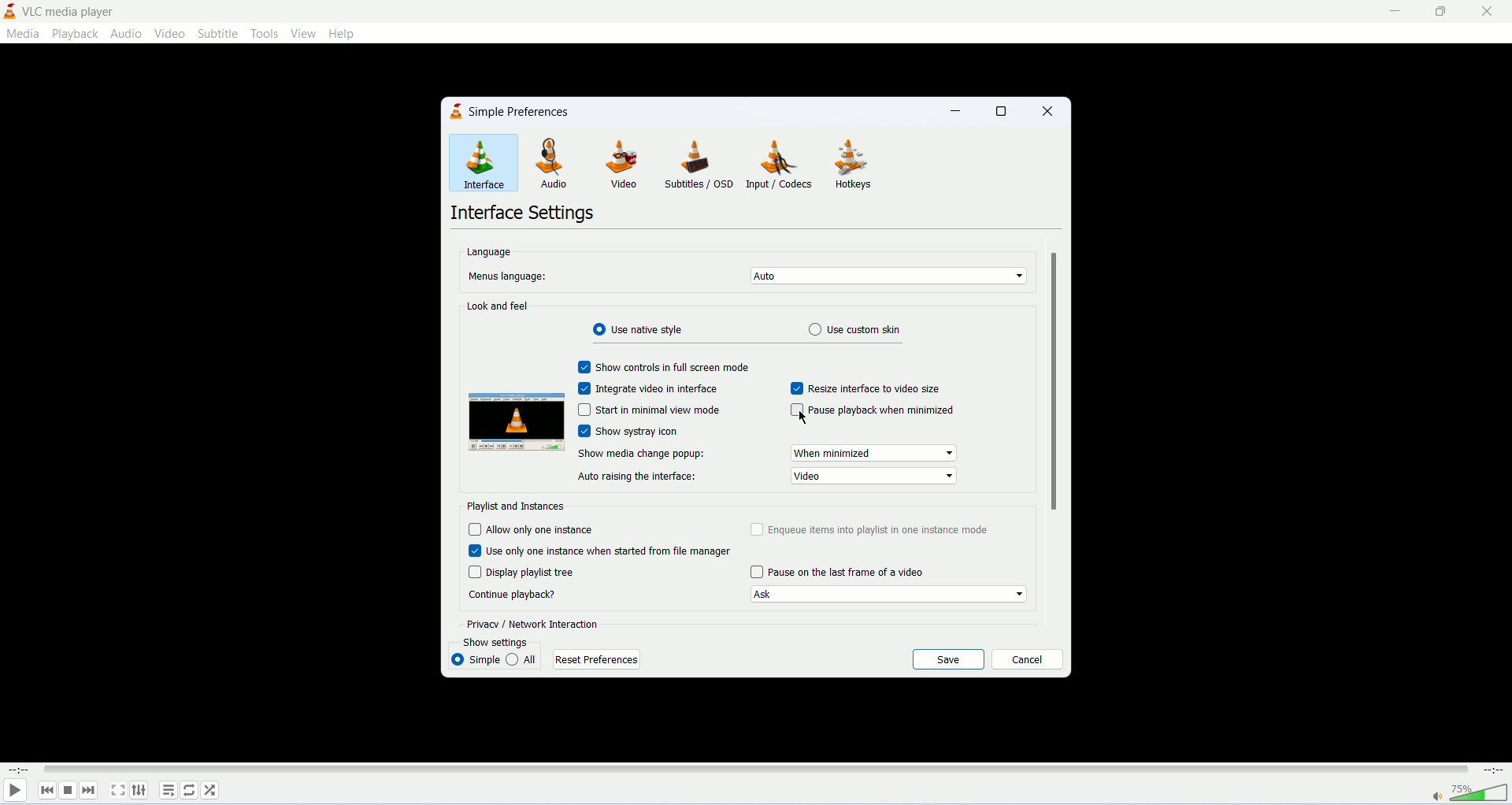 The width and height of the screenshot is (1512, 805). Describe the element at coordinates (517, 506) in the screenshot. I see `playlist and instances` at that location.